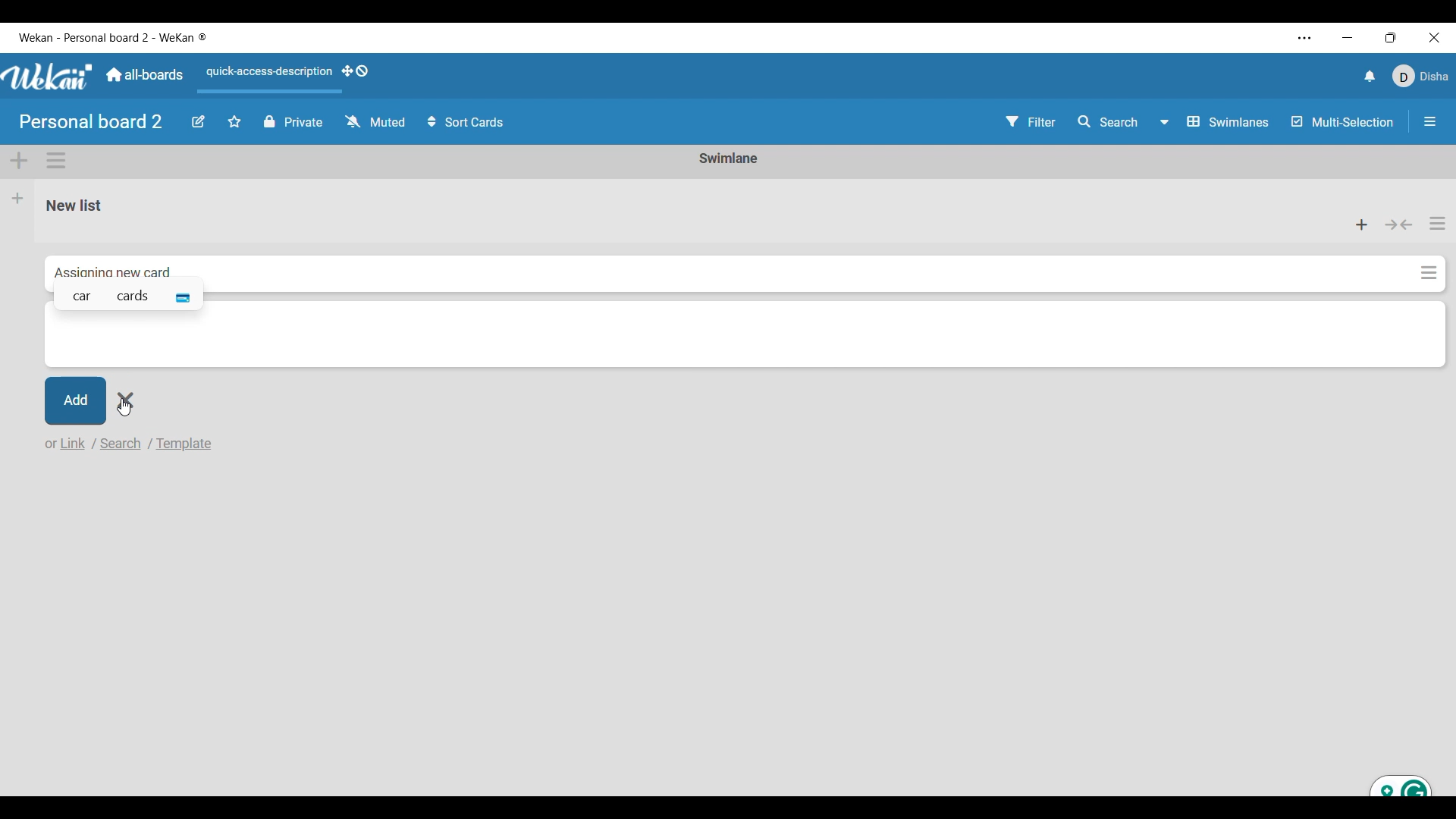 Image resolution: width=1456 pixels, height=819 pixels. I want to click on Add card to top of list, so click(1363, 224).